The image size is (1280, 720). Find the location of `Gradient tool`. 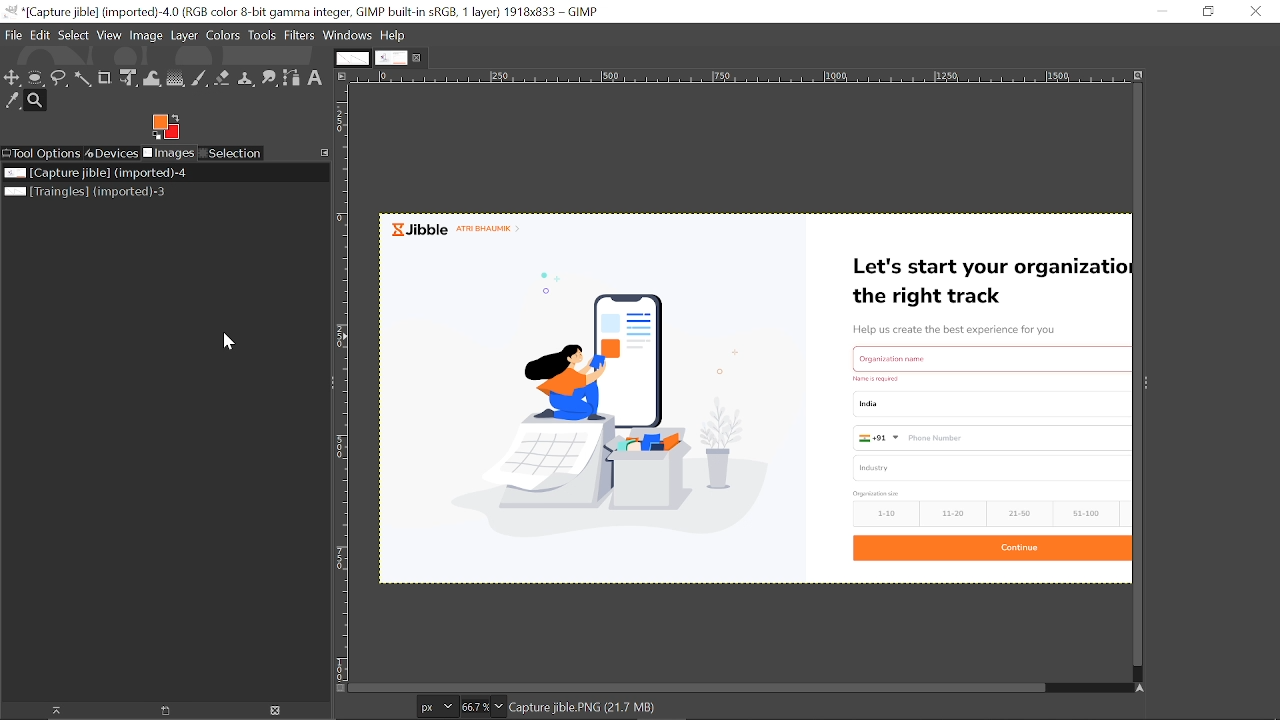

Gradient tool is located at coordinates (178, 78).